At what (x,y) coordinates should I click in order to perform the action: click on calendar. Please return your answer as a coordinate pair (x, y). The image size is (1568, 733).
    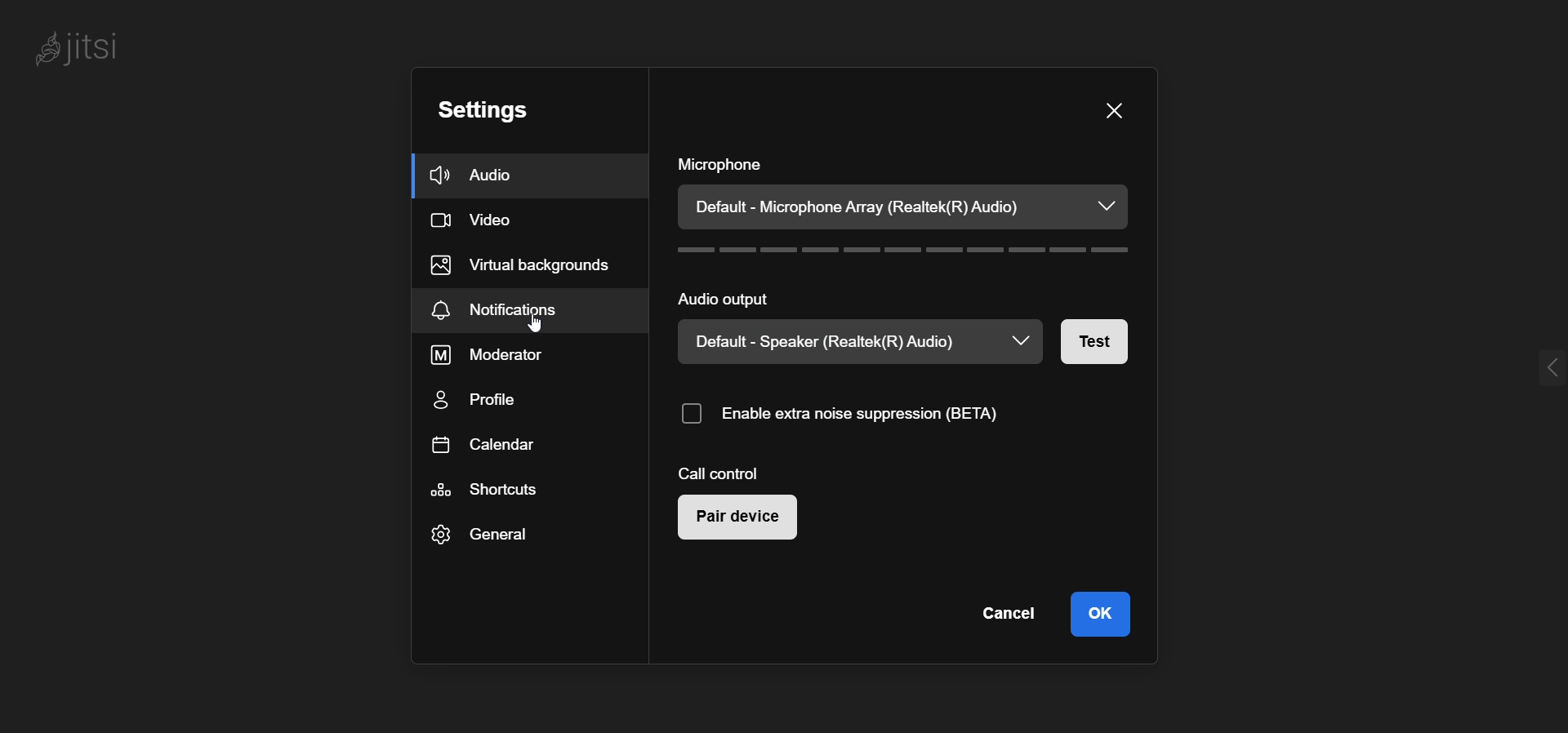
    Looking at the image, I should click on (491, 446).